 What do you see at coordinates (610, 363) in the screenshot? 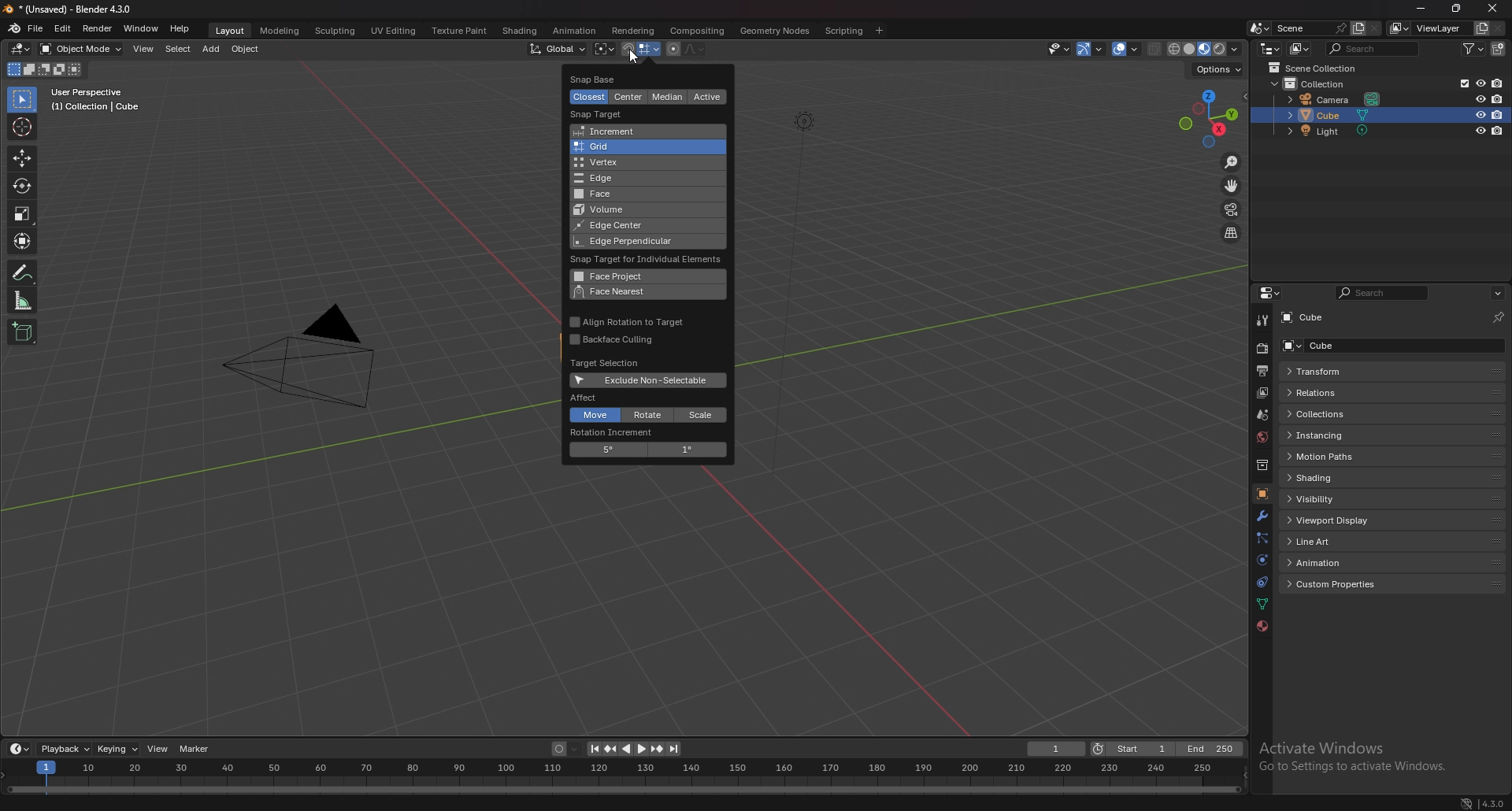
I see `target selection` at bounding box center [610, 363].